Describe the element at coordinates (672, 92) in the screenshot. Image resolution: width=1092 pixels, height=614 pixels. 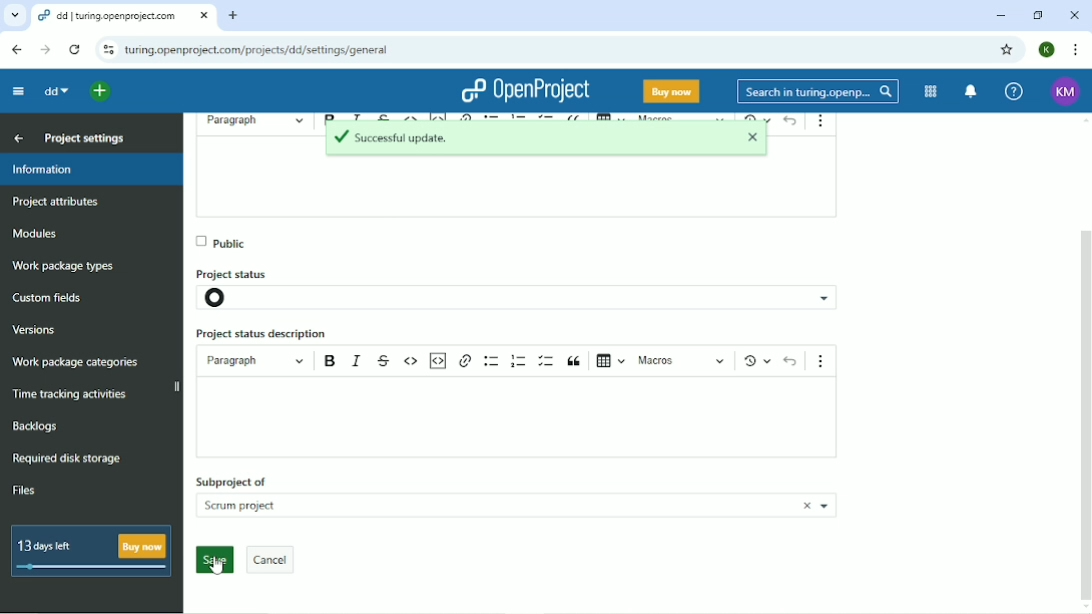
I see `Buy now` at that location.